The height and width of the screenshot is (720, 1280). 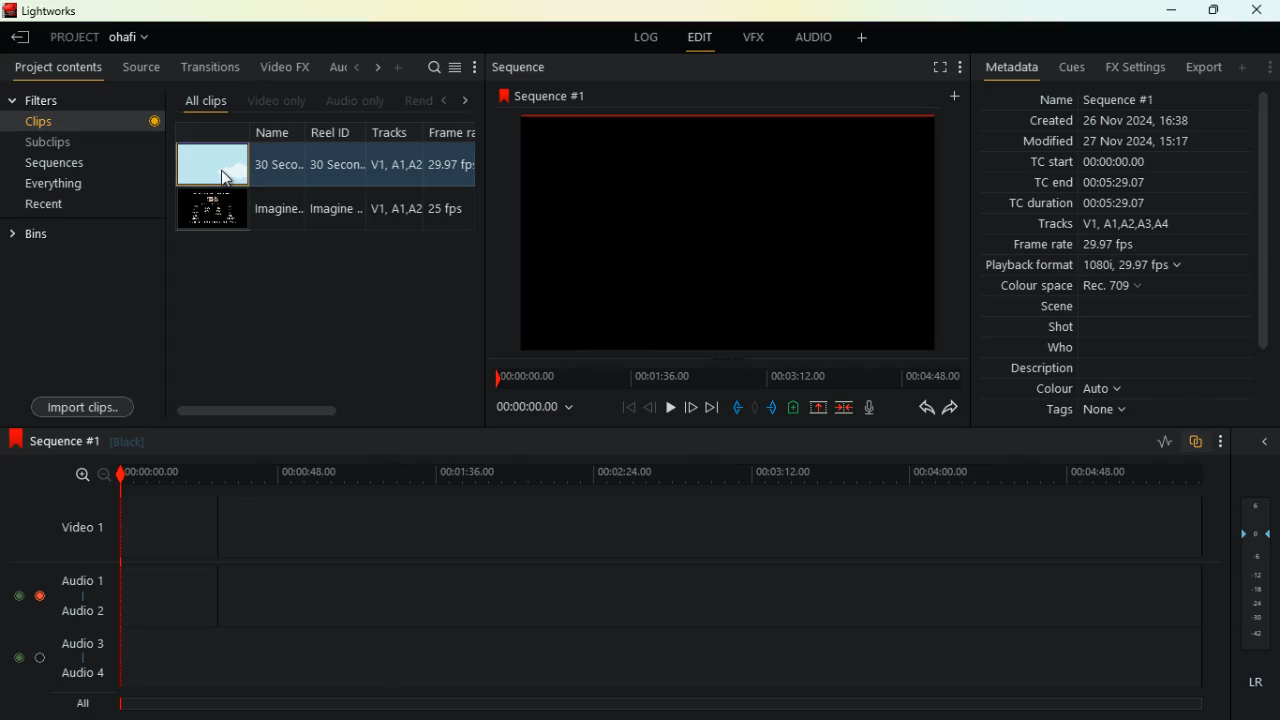 I want to click on colour space, so click(x=1071, y=287).